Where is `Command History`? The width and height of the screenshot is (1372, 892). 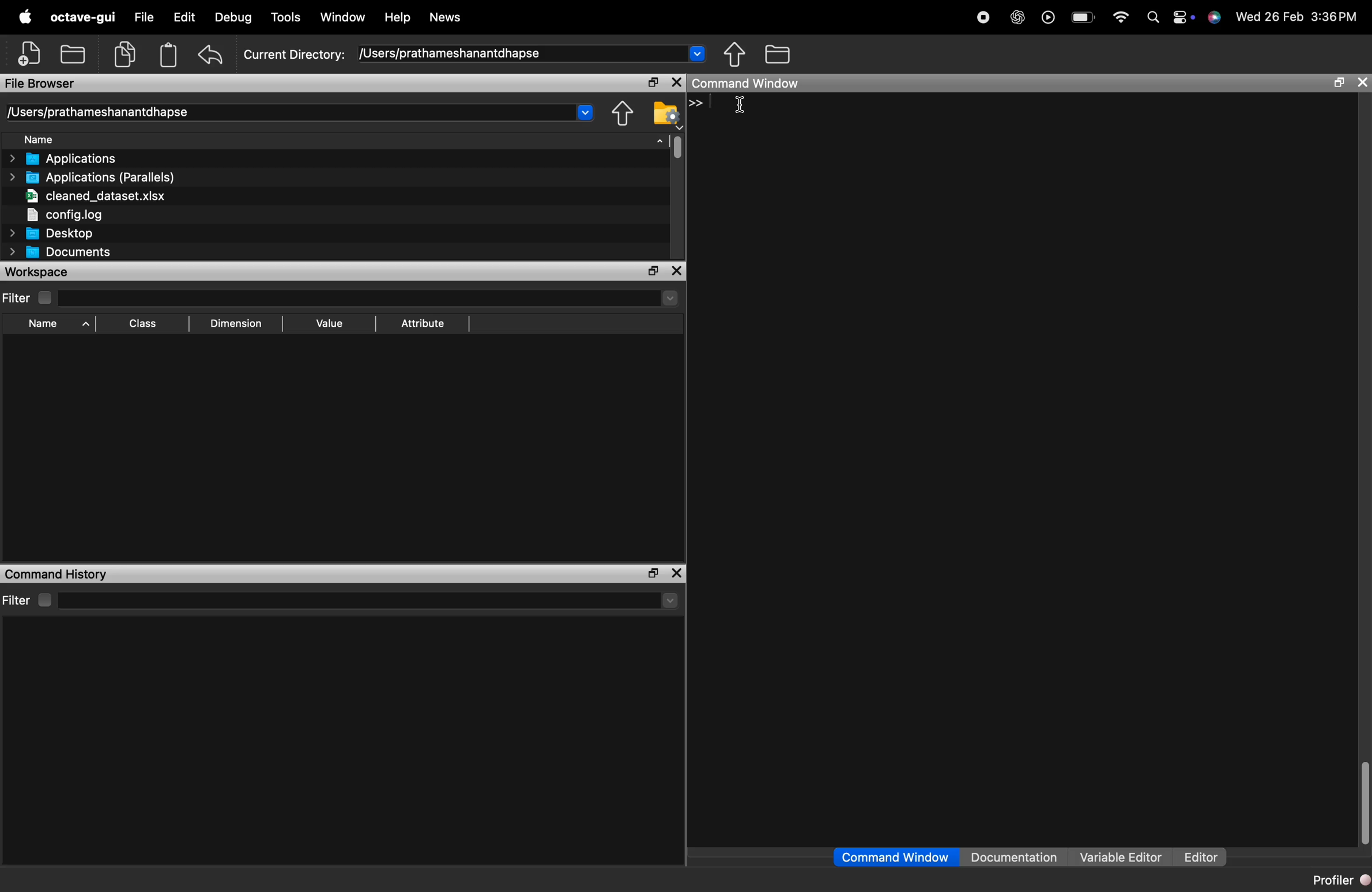 Command History is located at coordinates (320, 573).